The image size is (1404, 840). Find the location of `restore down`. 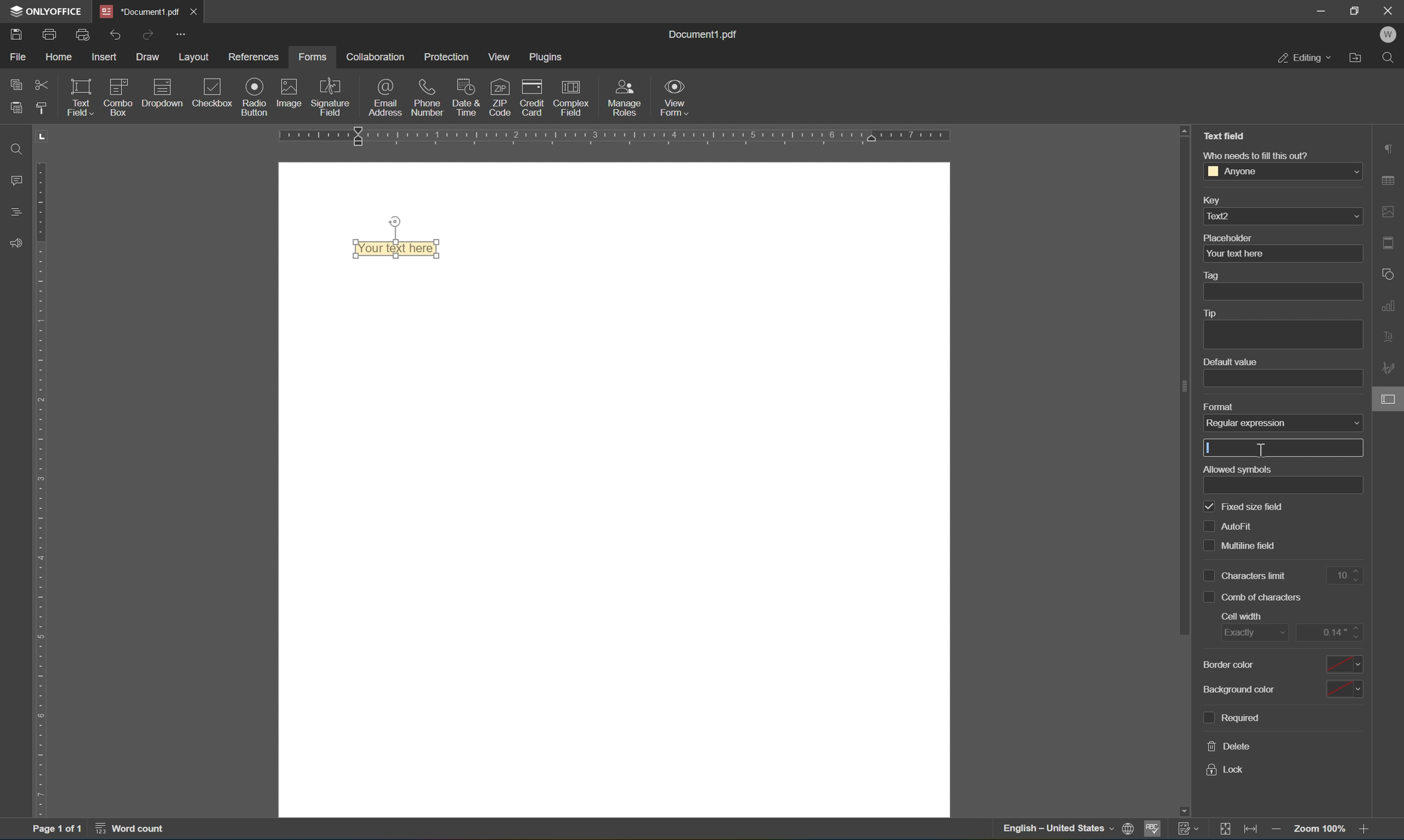

restore down is located at coordinates (1356, 10).